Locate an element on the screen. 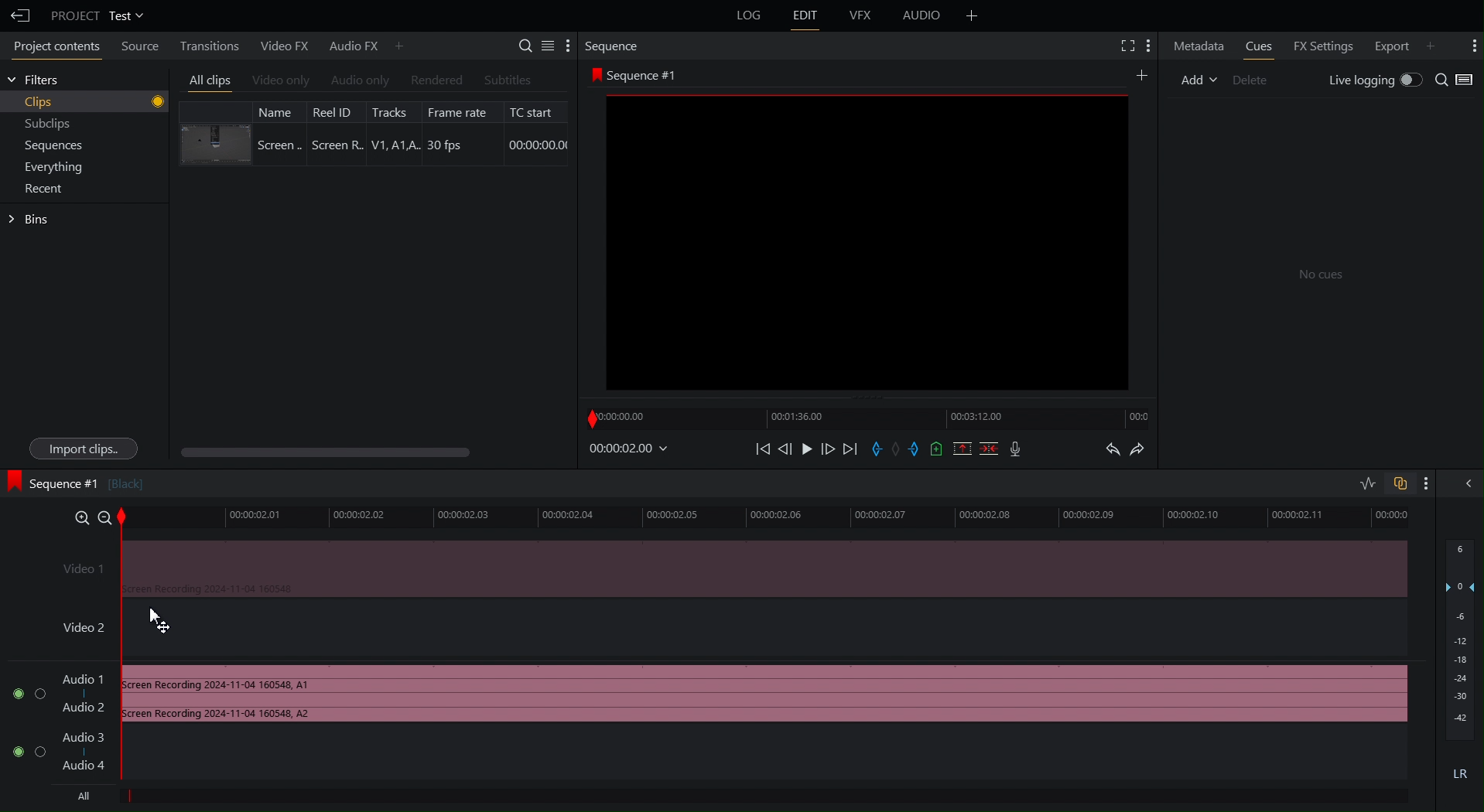 The image size is (1484, 812). Edit is located at coordinates (805, 16).